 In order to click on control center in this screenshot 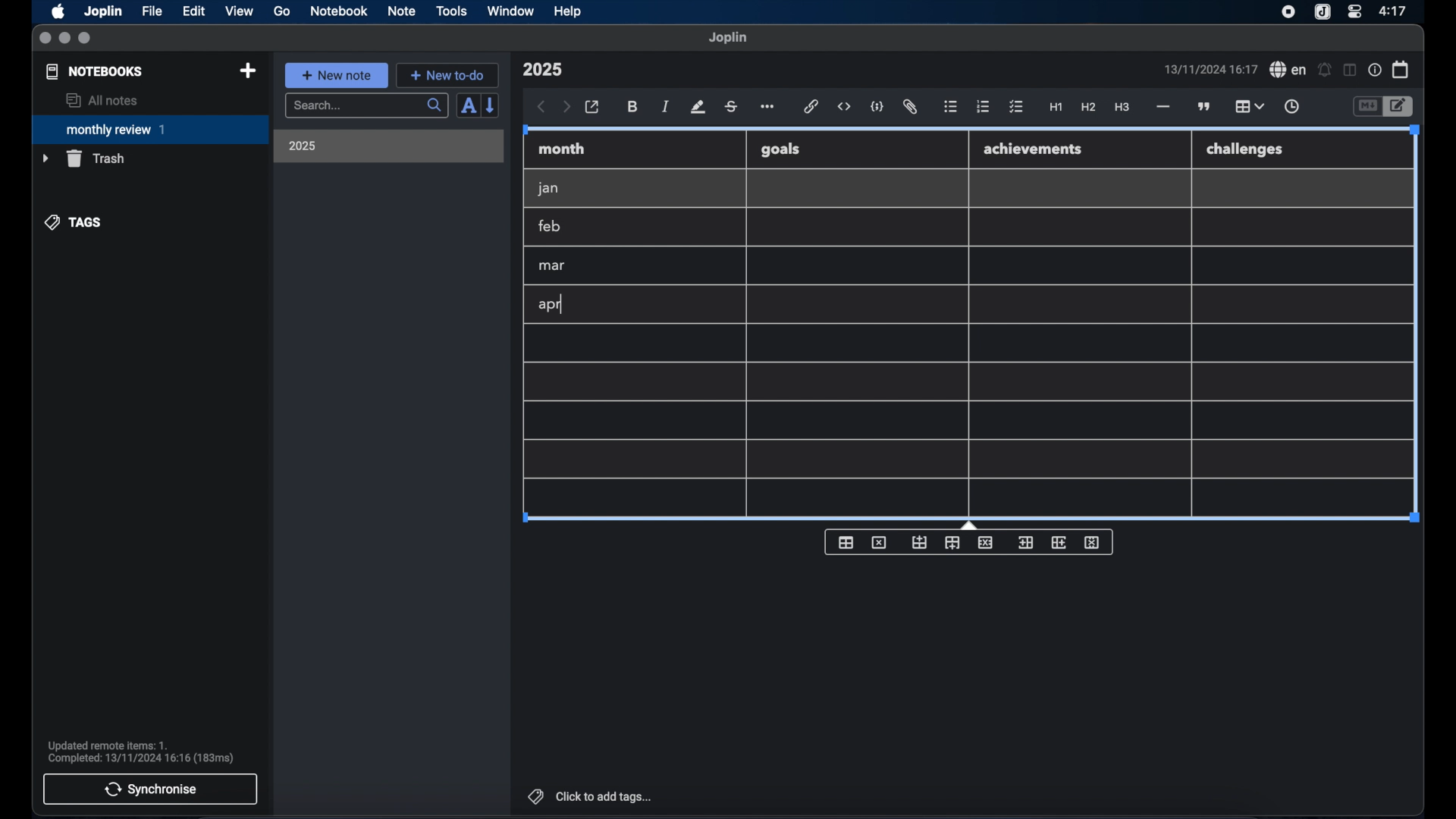, I will do `click(1354, 11)`.